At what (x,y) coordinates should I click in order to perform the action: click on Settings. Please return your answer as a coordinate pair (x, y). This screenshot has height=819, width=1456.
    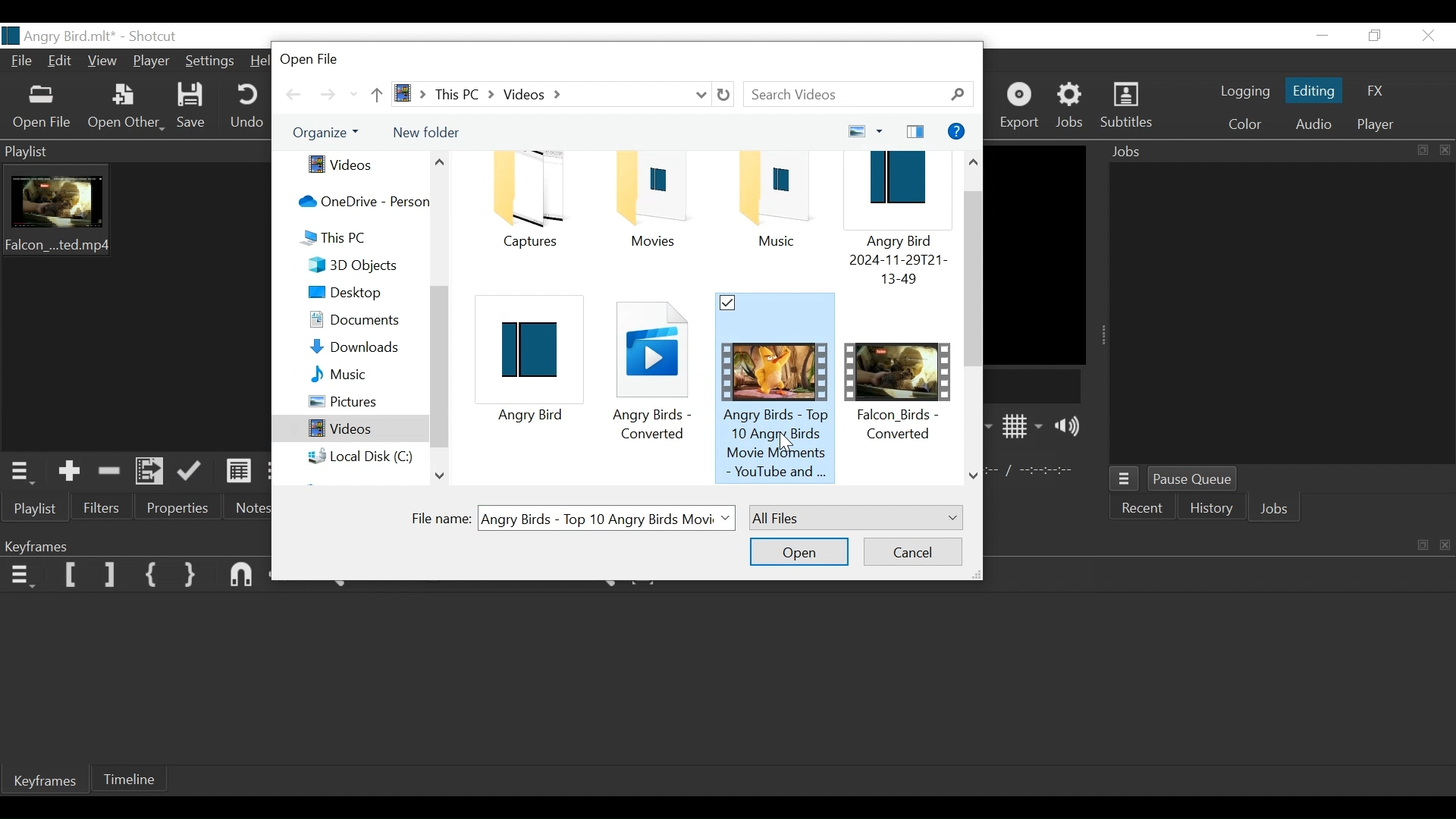
    Looking at the image, I should click on (210, 62).